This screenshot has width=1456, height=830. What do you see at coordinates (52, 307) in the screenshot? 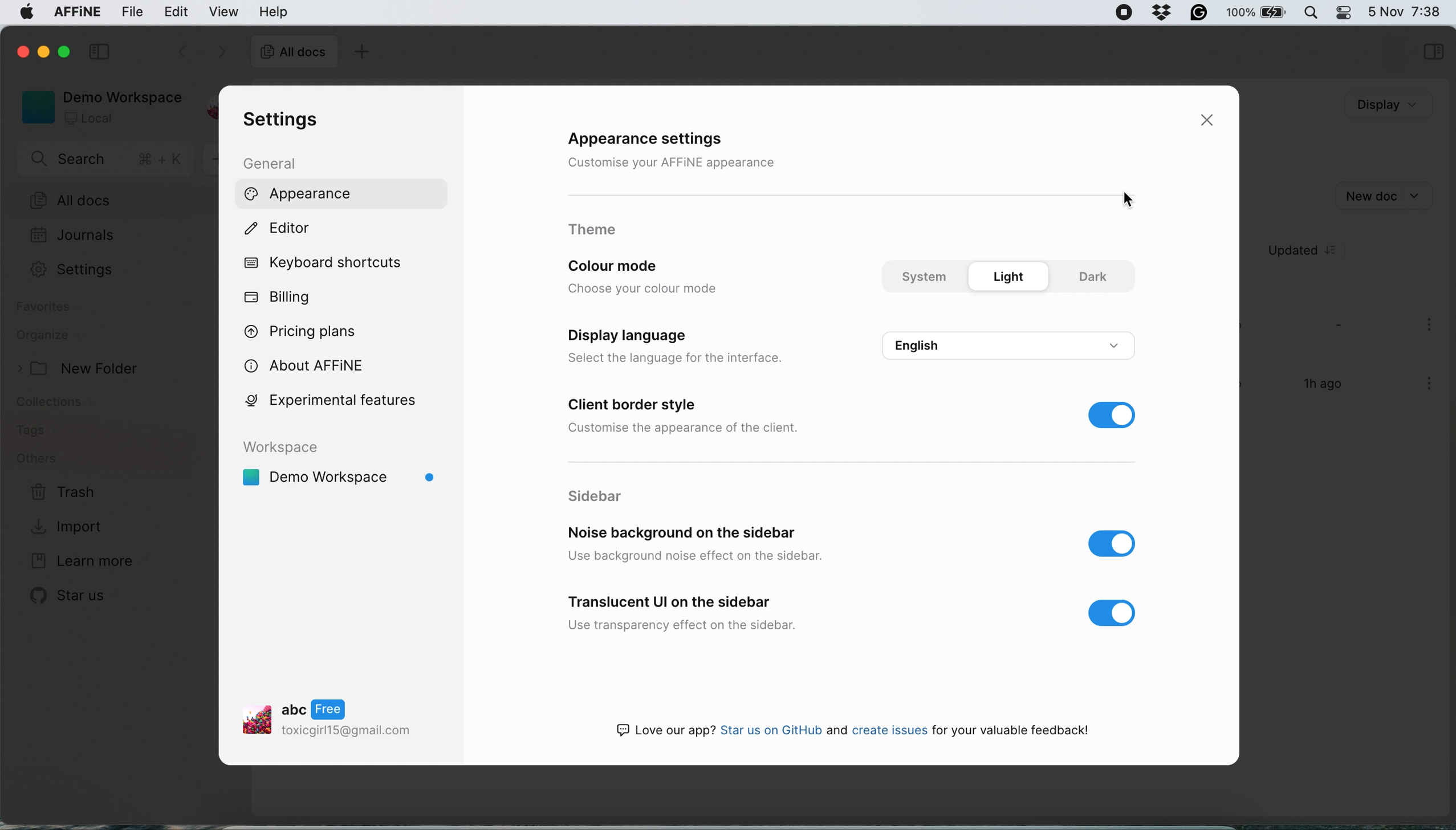
I see `favourites` at bounding box center [52, 307].